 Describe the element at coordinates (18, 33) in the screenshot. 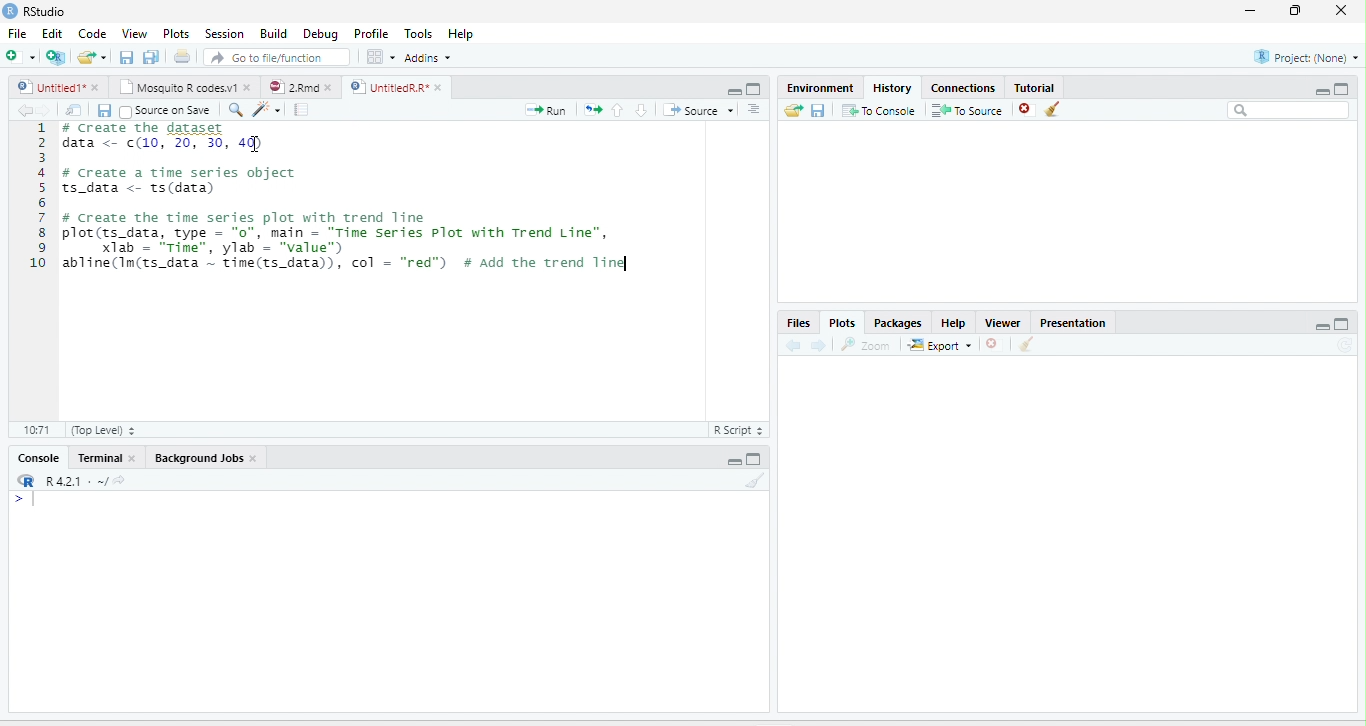

I see `File` at that location.